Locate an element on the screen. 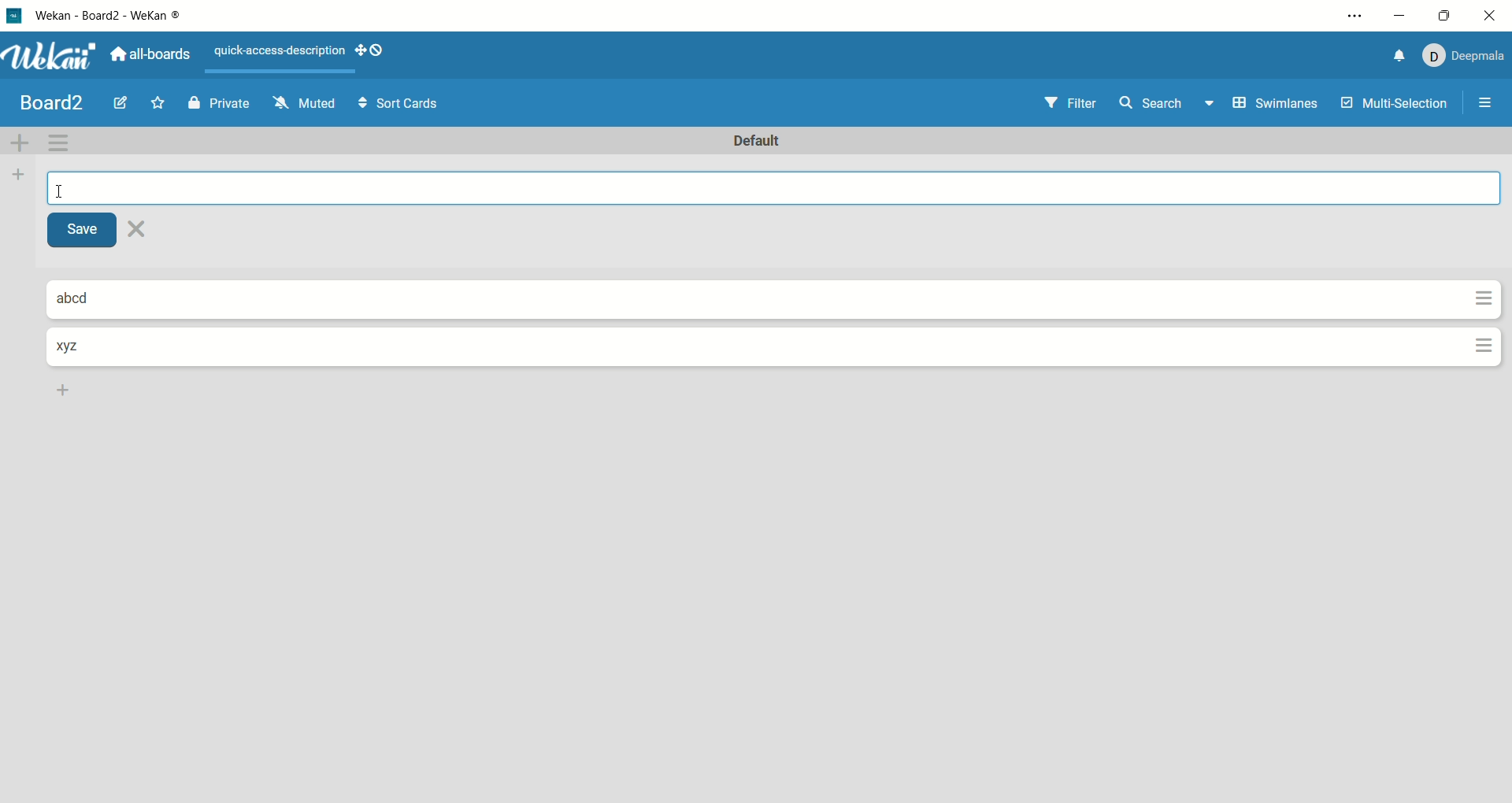 Image resolution: width=1512 pixels, height=803 pixels. muted is located at coordinates (301, 102).